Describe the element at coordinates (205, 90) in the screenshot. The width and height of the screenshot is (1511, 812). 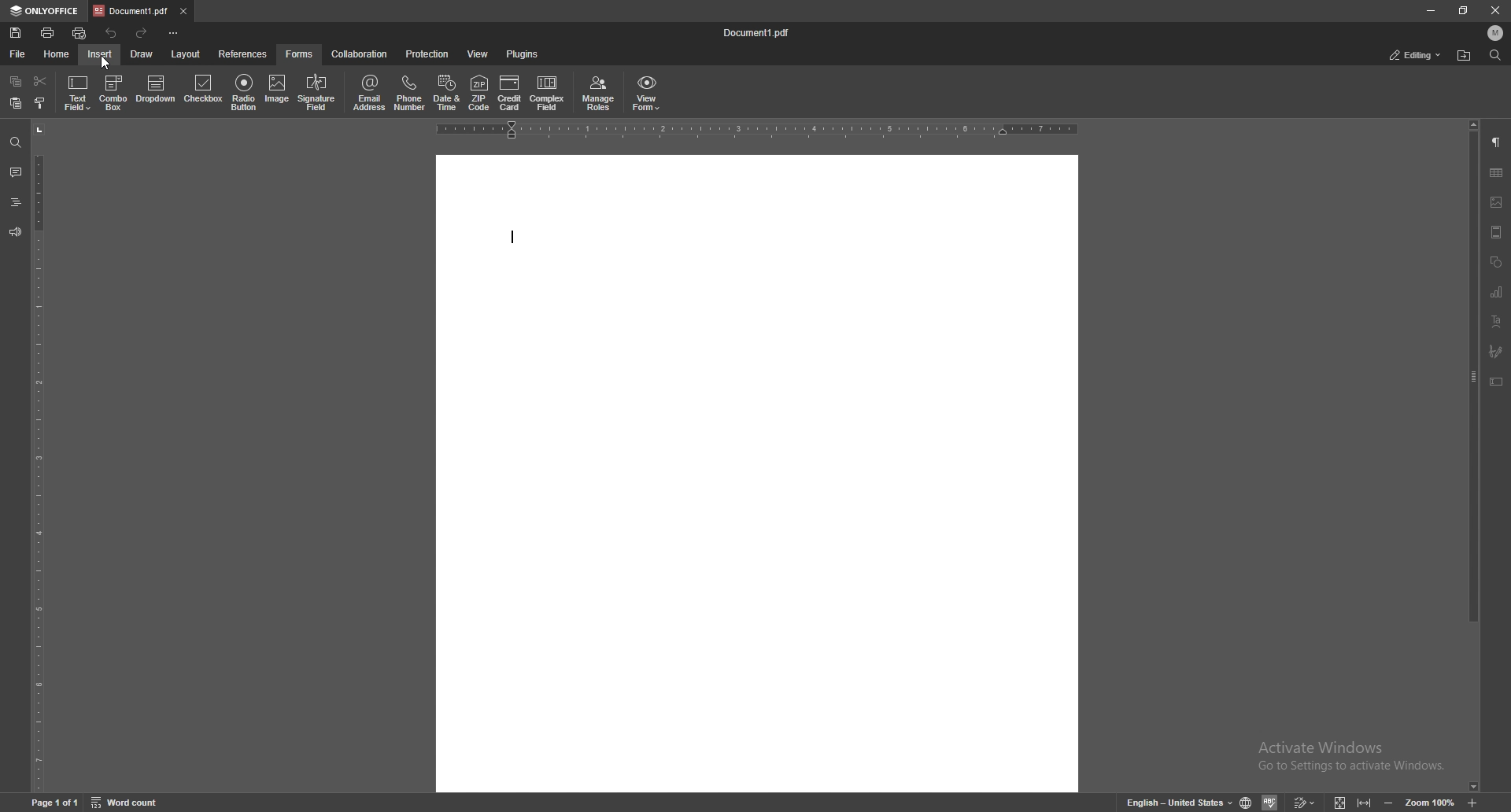
I see `checkbox` at that location.